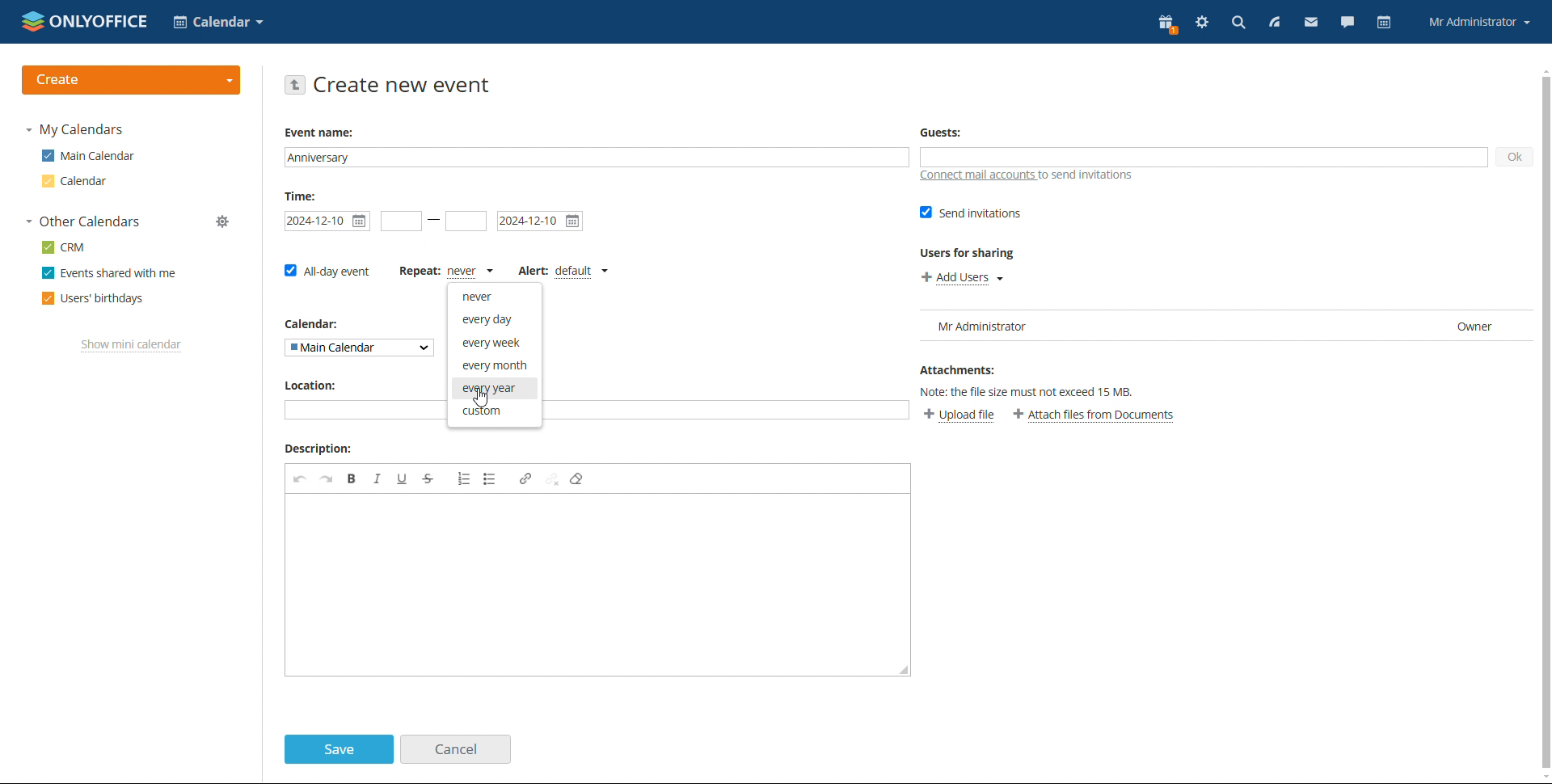 The height and width of the screenshot is (784, 1552). What do you see at coordinates (466, 221) in the screenshot?
I see `end time` at bounding box center [466, 221].